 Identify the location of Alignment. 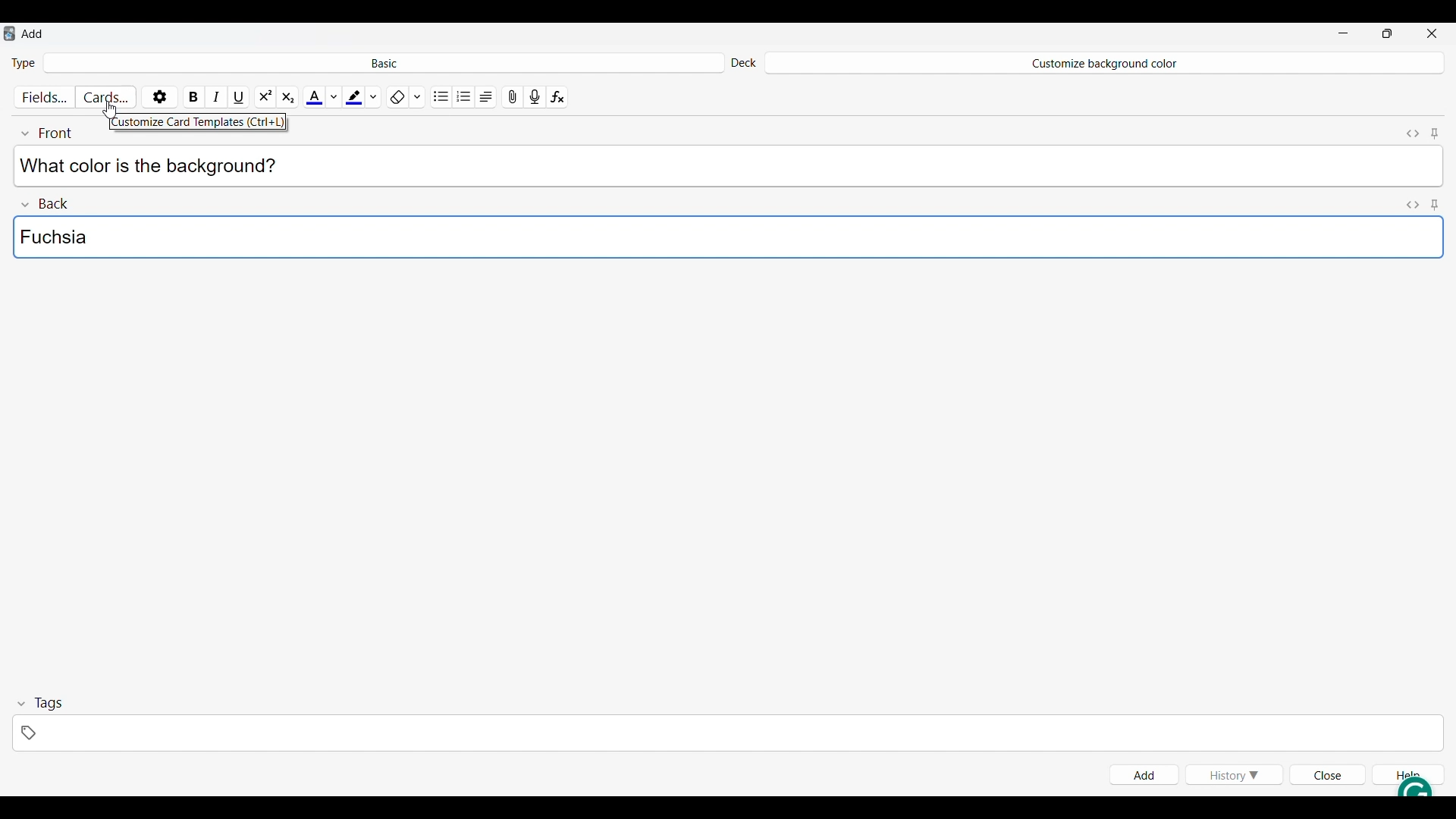
(486, 95).